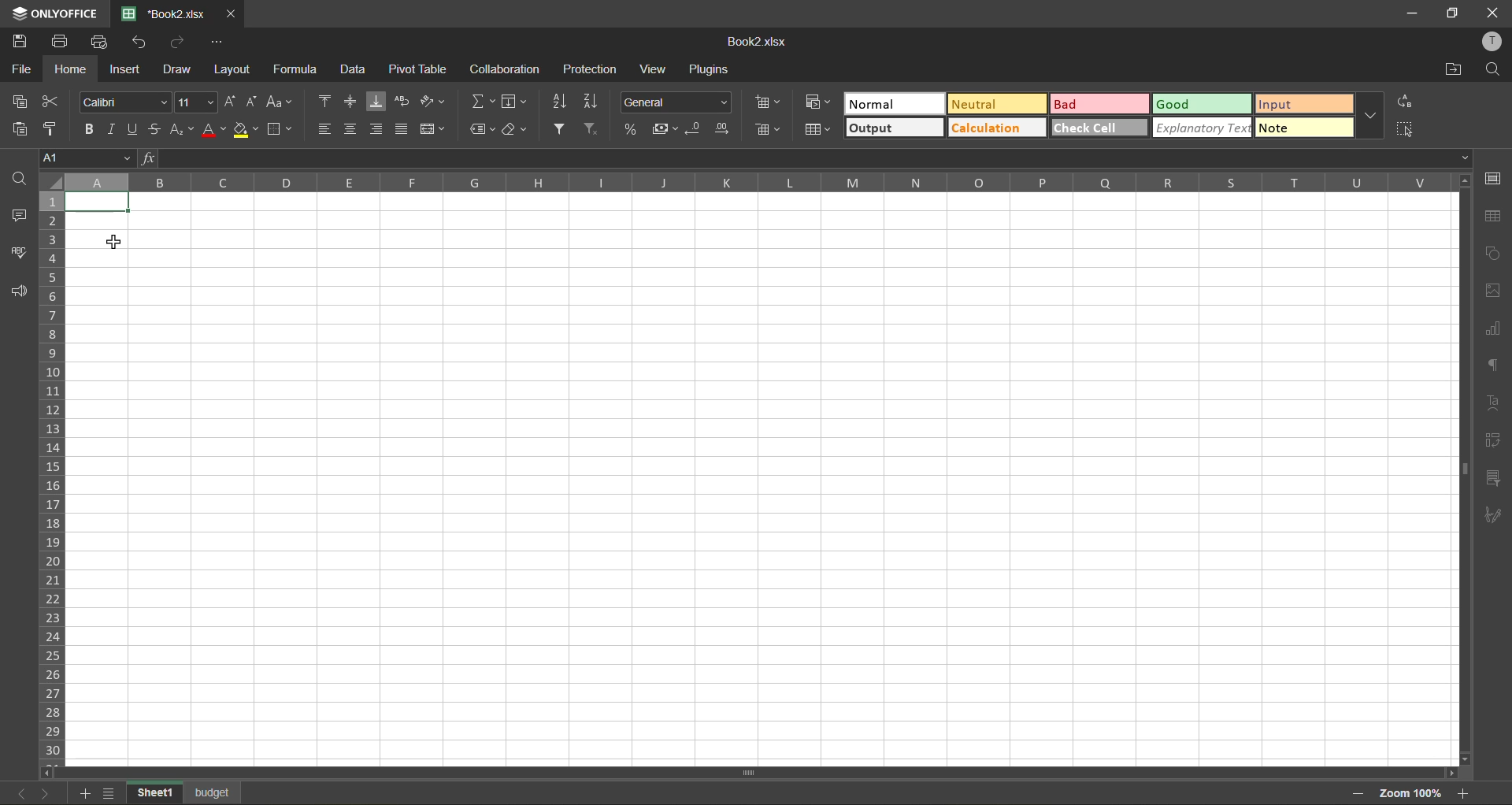 The image size is (1512, 805). Describe the element at coordinates (1460, 370) in the screenshot. I see `scroll bar` at that location.